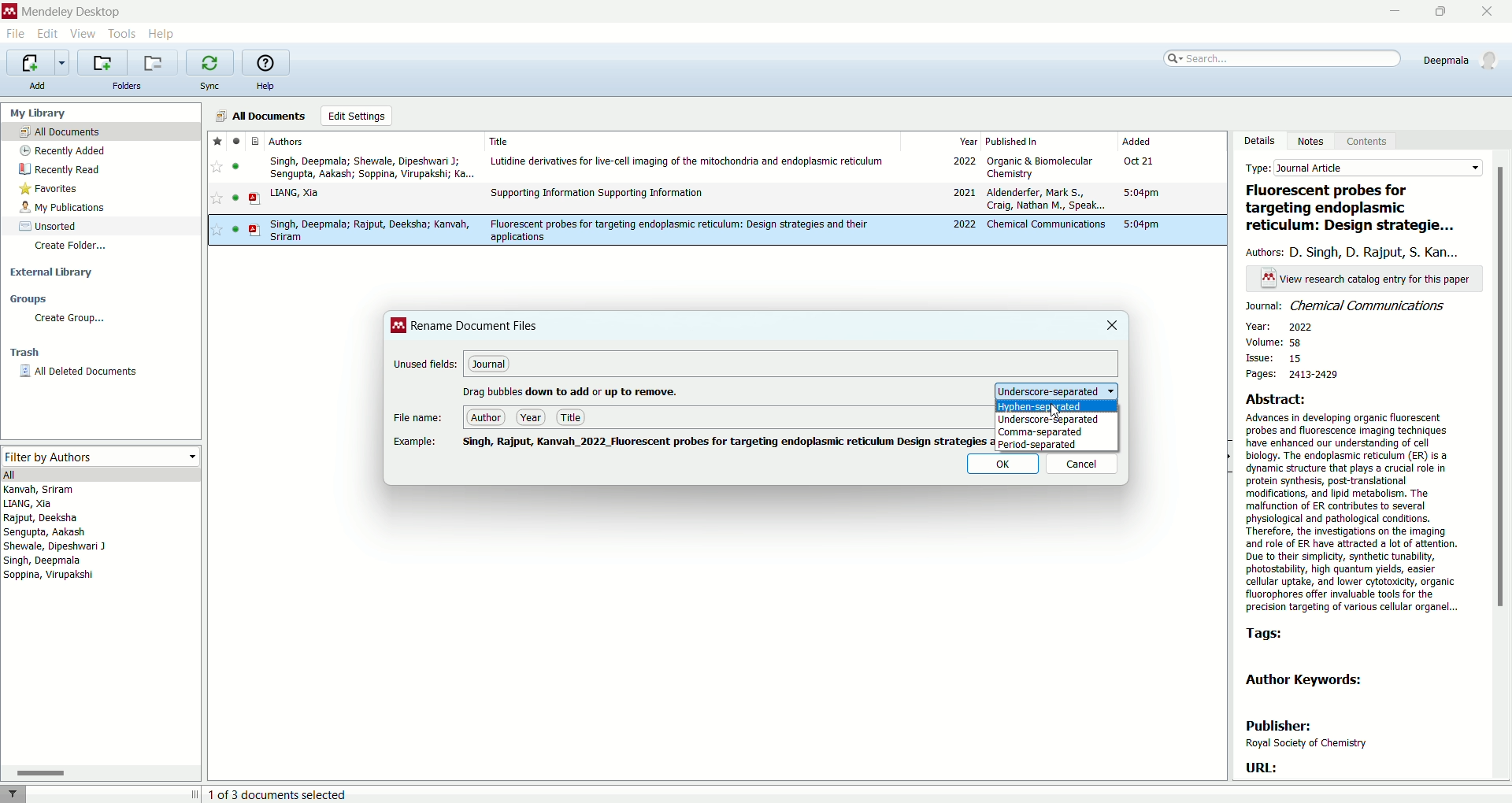 The height and width of the screenshot is (803, 1512). Describe the element at coordinates (257, 229) in the screenshot. I see `document` at that location.